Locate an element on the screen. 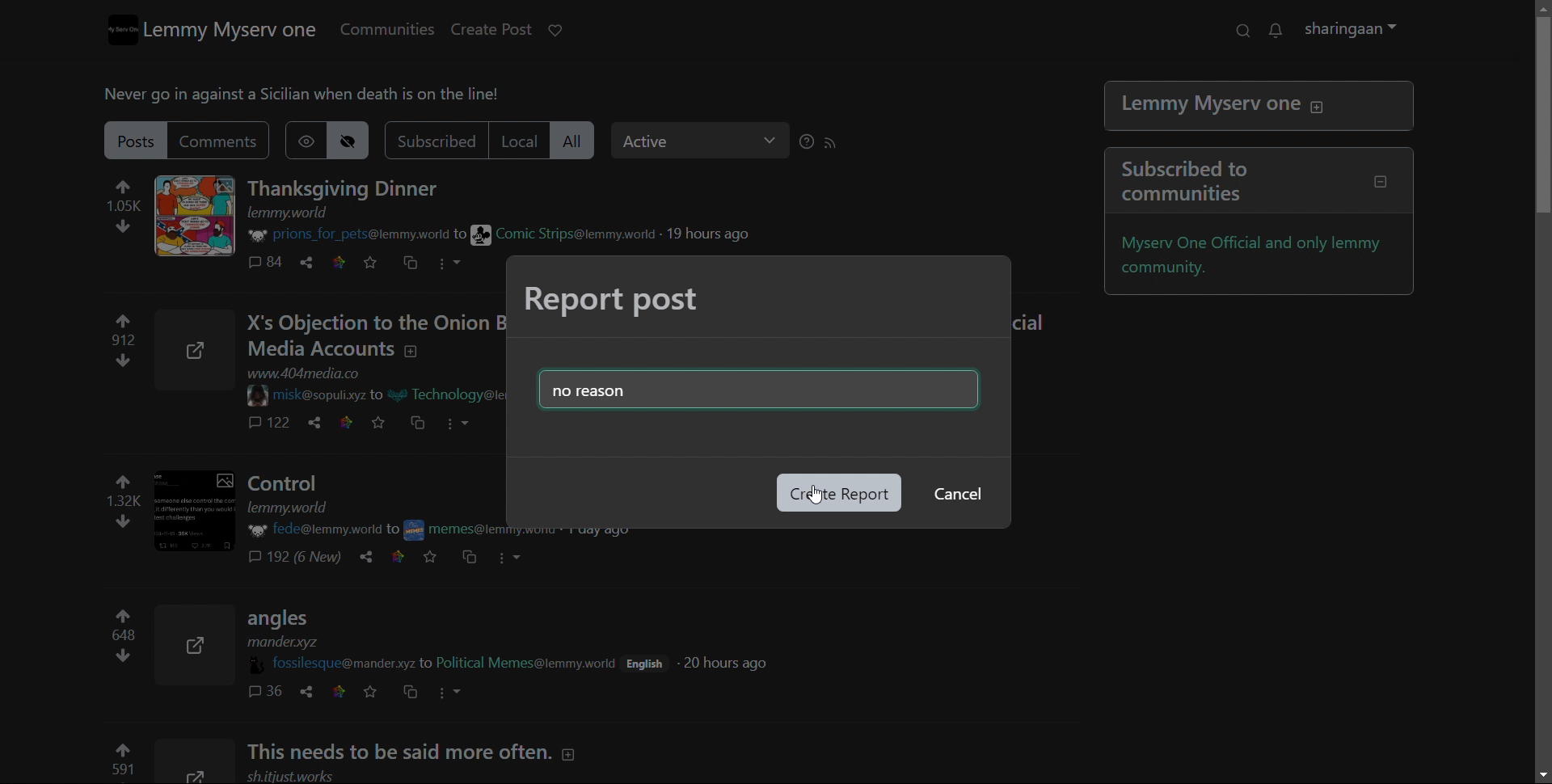  Post on "X's Objection to the Onion Buying InfoWars Is a Reminder You Do Not Own Your SocialMedia Accounts" is located at coordinates (377, 337).